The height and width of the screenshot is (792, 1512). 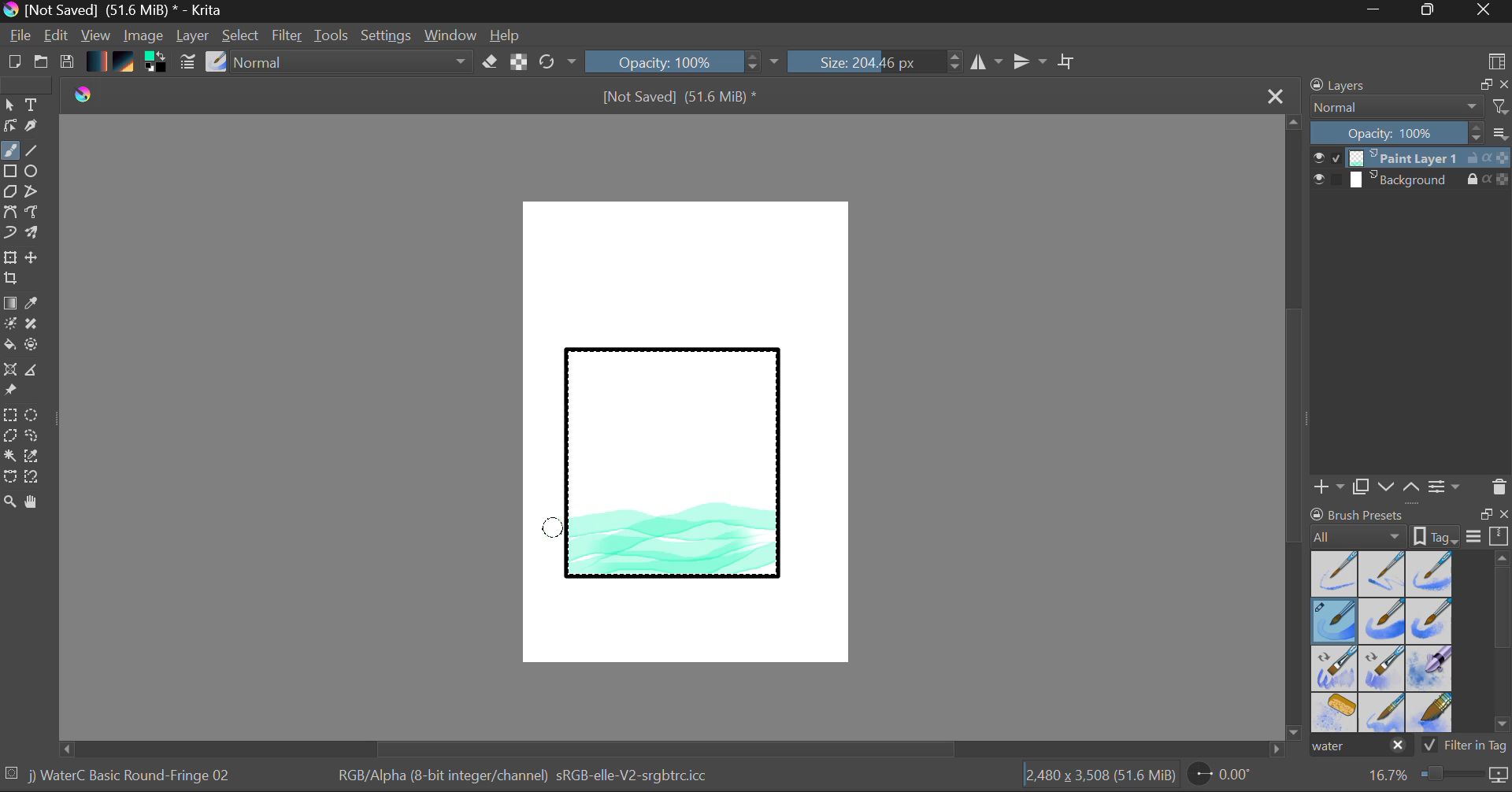 I want to click on Dynamic Brush, so click(x=9, y=233).